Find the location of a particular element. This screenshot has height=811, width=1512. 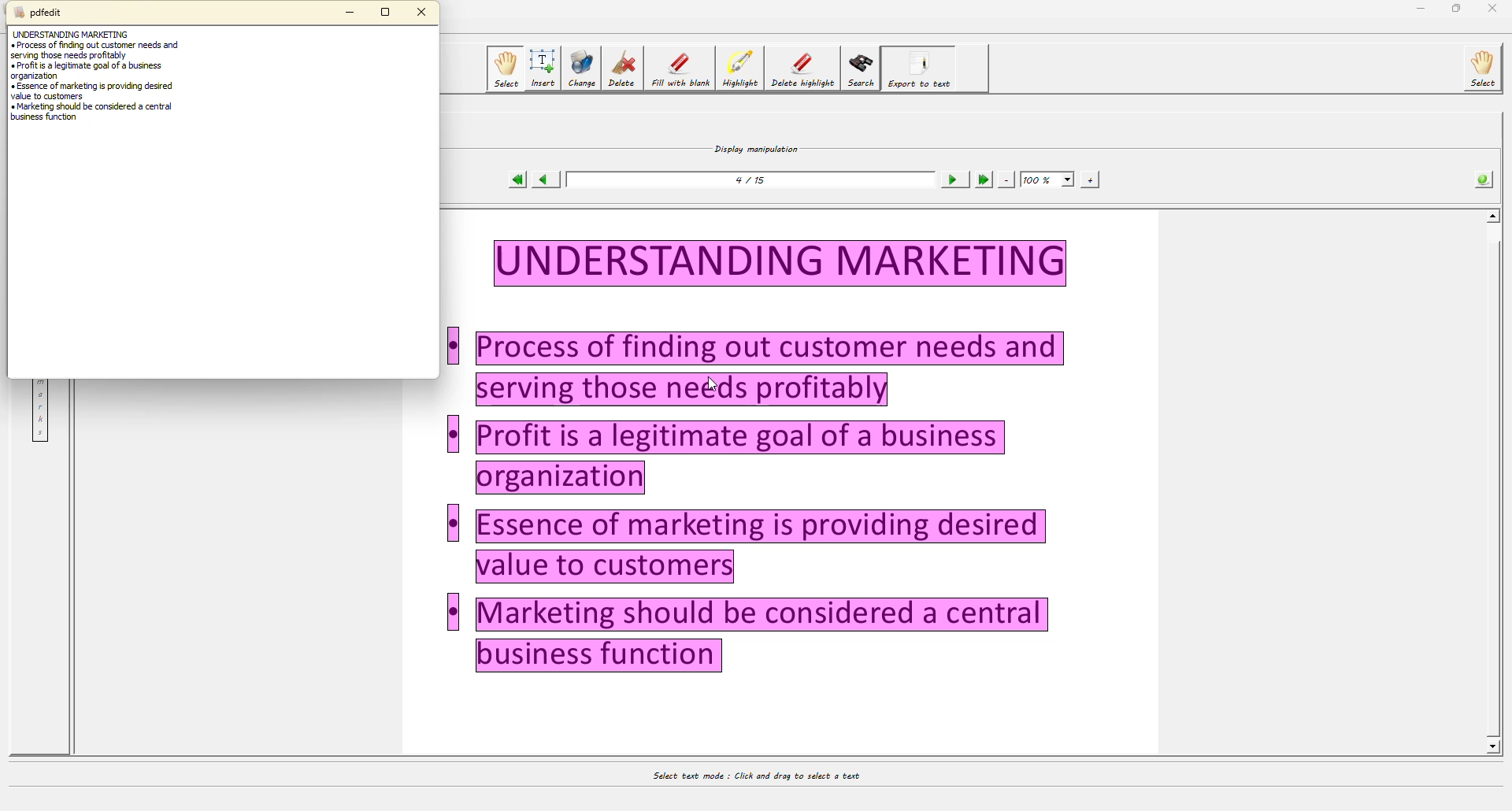

 is located at coordinates (454, 524).